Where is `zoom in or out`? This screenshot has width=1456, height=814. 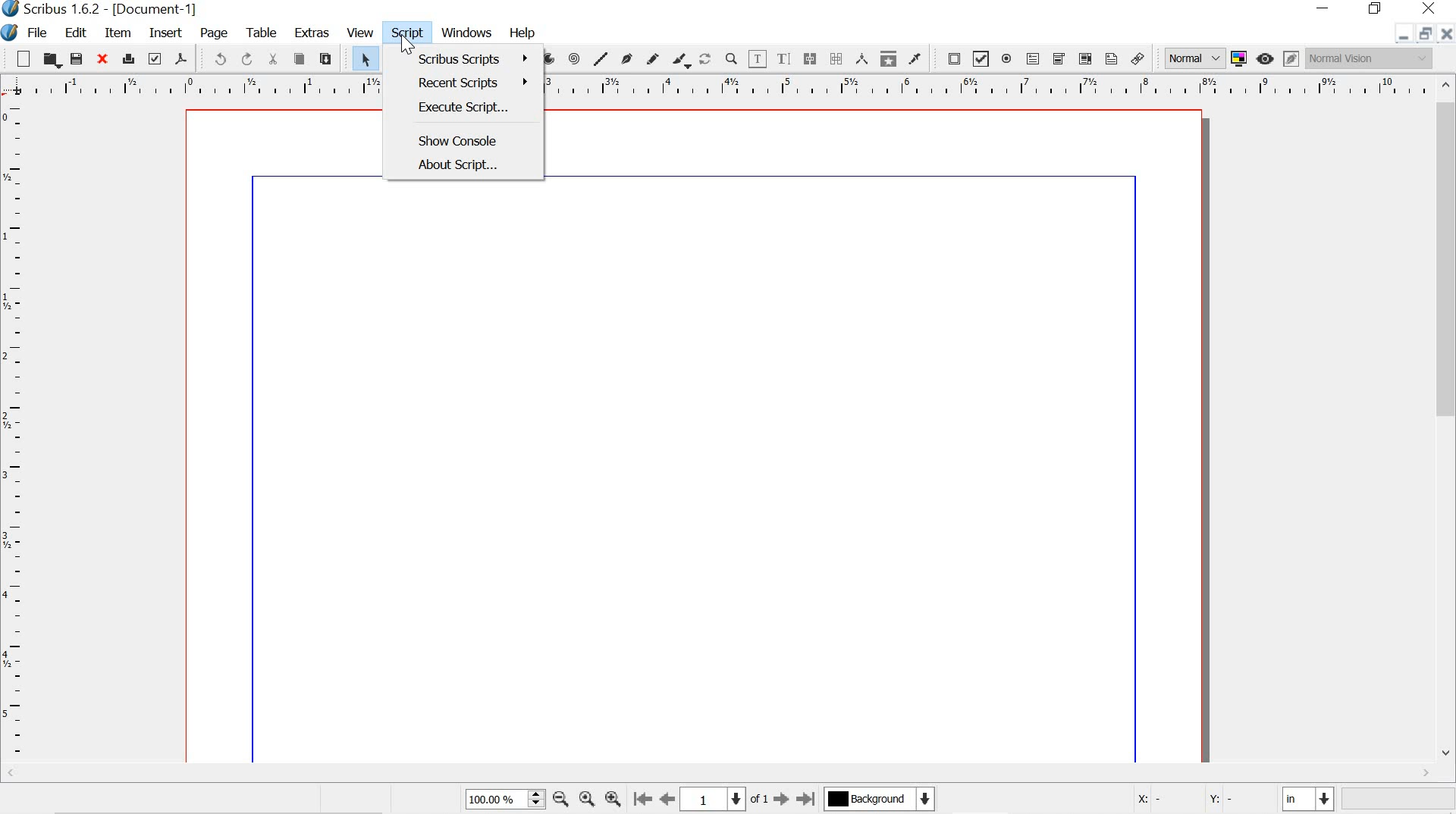
zoom in or out is located at coordinates (732, 59).